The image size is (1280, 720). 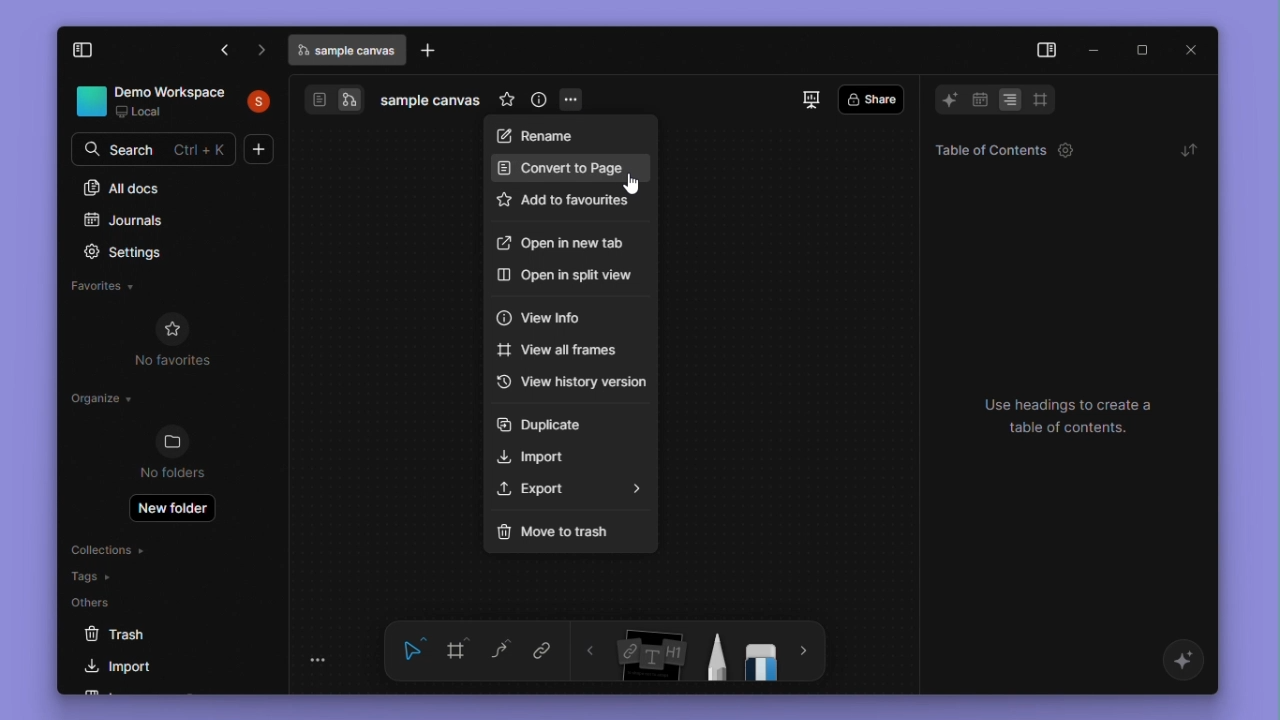 I want to click on Organise, so click(x=104, y=402).